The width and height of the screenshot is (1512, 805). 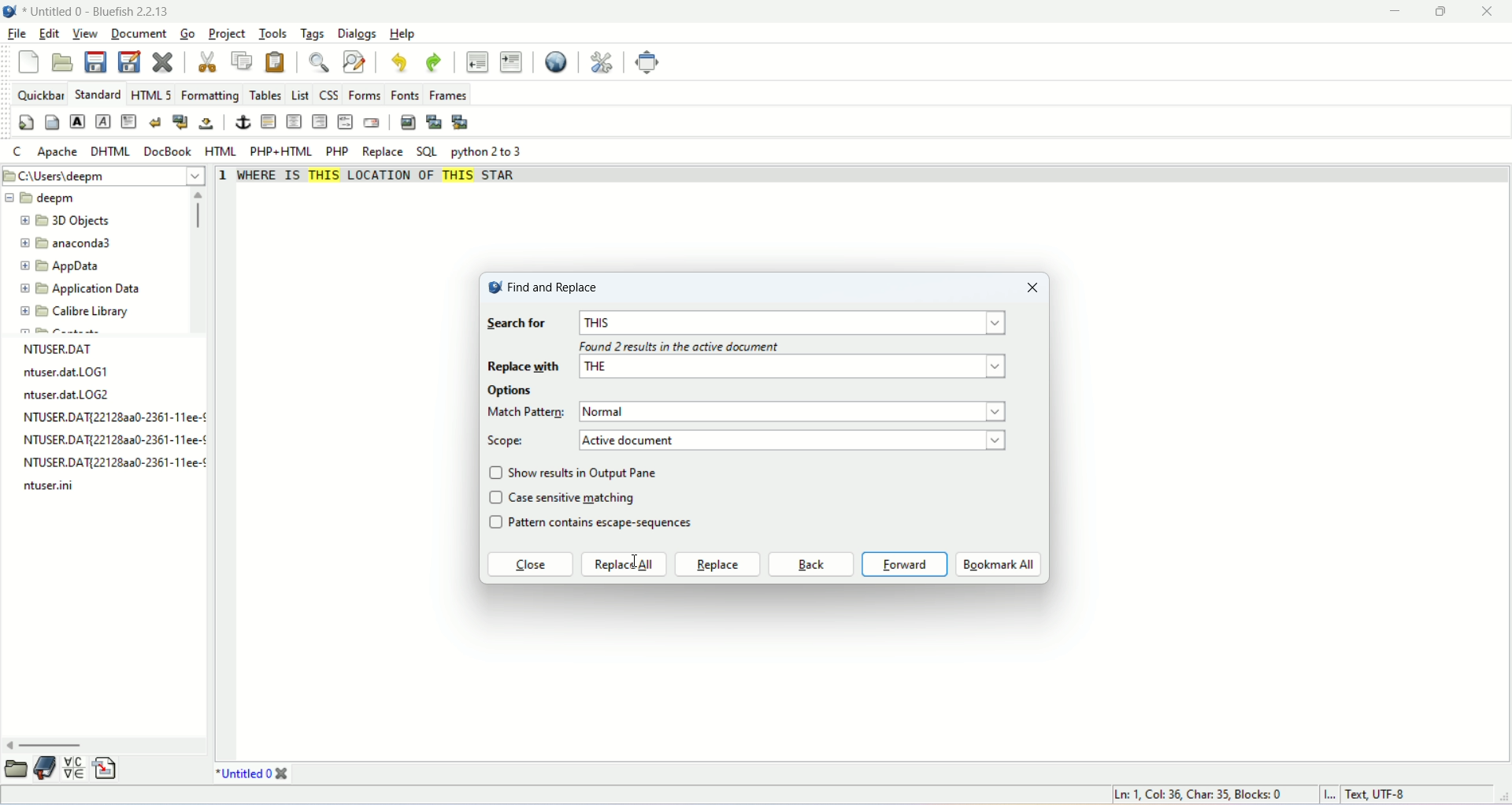 What do you see at coordinates (301, 95) in the screenshot?
I see `list` at bounding box center [301, 95].